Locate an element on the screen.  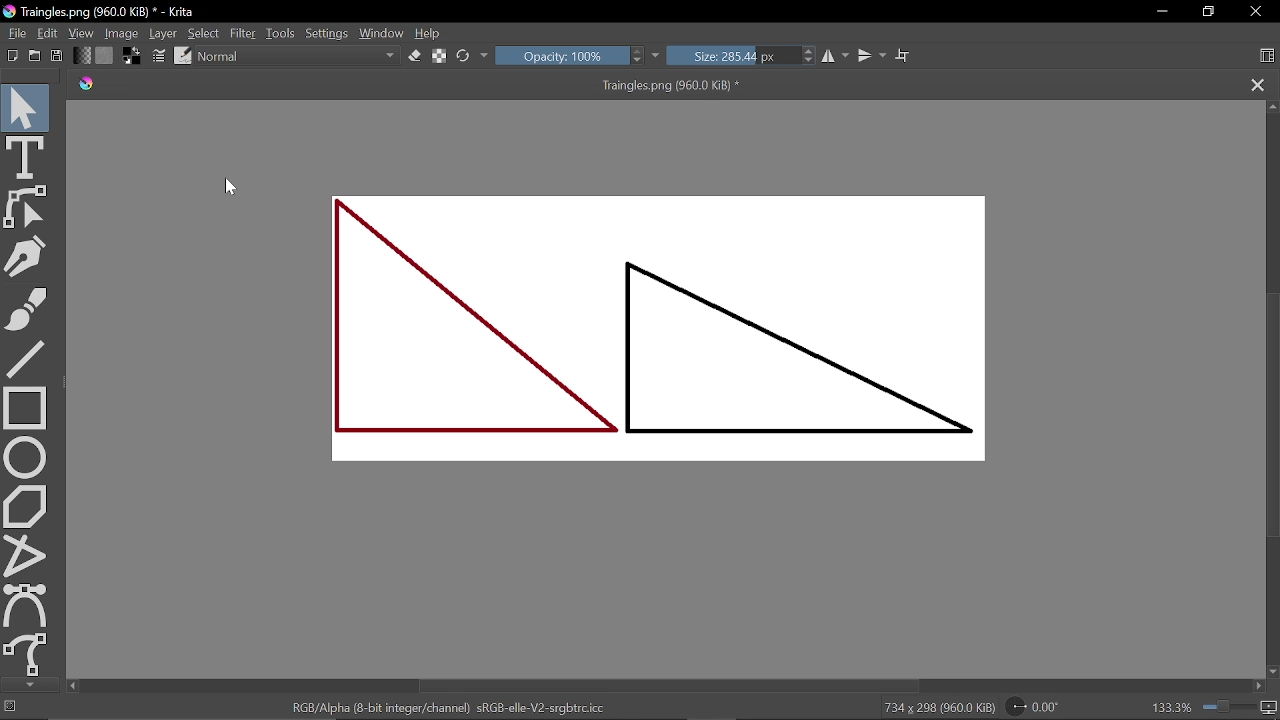
Polyline tool is located at coordinates (26, 555).